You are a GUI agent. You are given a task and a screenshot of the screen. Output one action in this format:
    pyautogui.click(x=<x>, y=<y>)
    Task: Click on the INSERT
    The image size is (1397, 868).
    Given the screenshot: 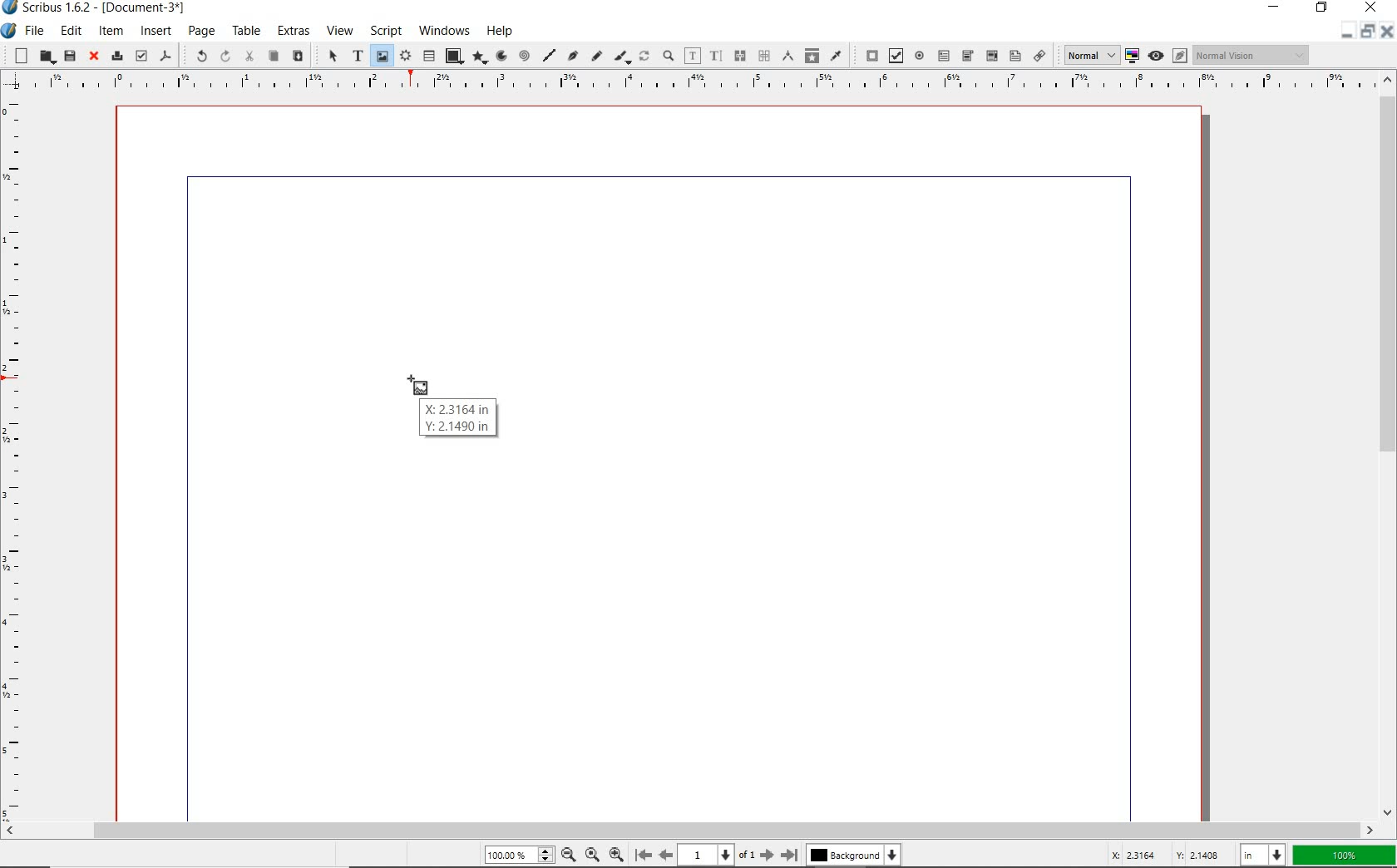 What is the action you would take?
    pyautogui.click(x=156, y=32)
    